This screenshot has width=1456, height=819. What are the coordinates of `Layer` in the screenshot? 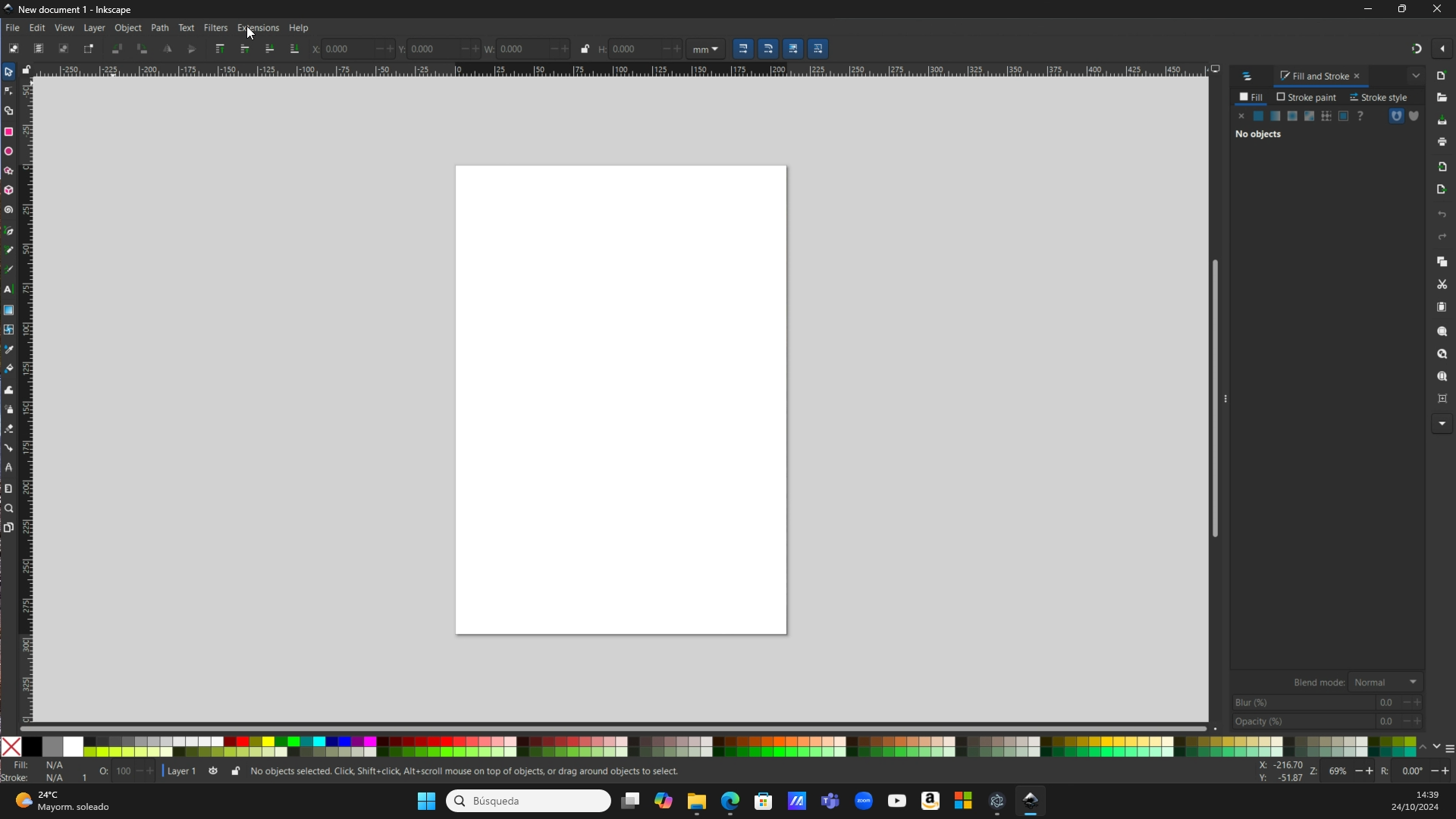 It's located at (96, 29).